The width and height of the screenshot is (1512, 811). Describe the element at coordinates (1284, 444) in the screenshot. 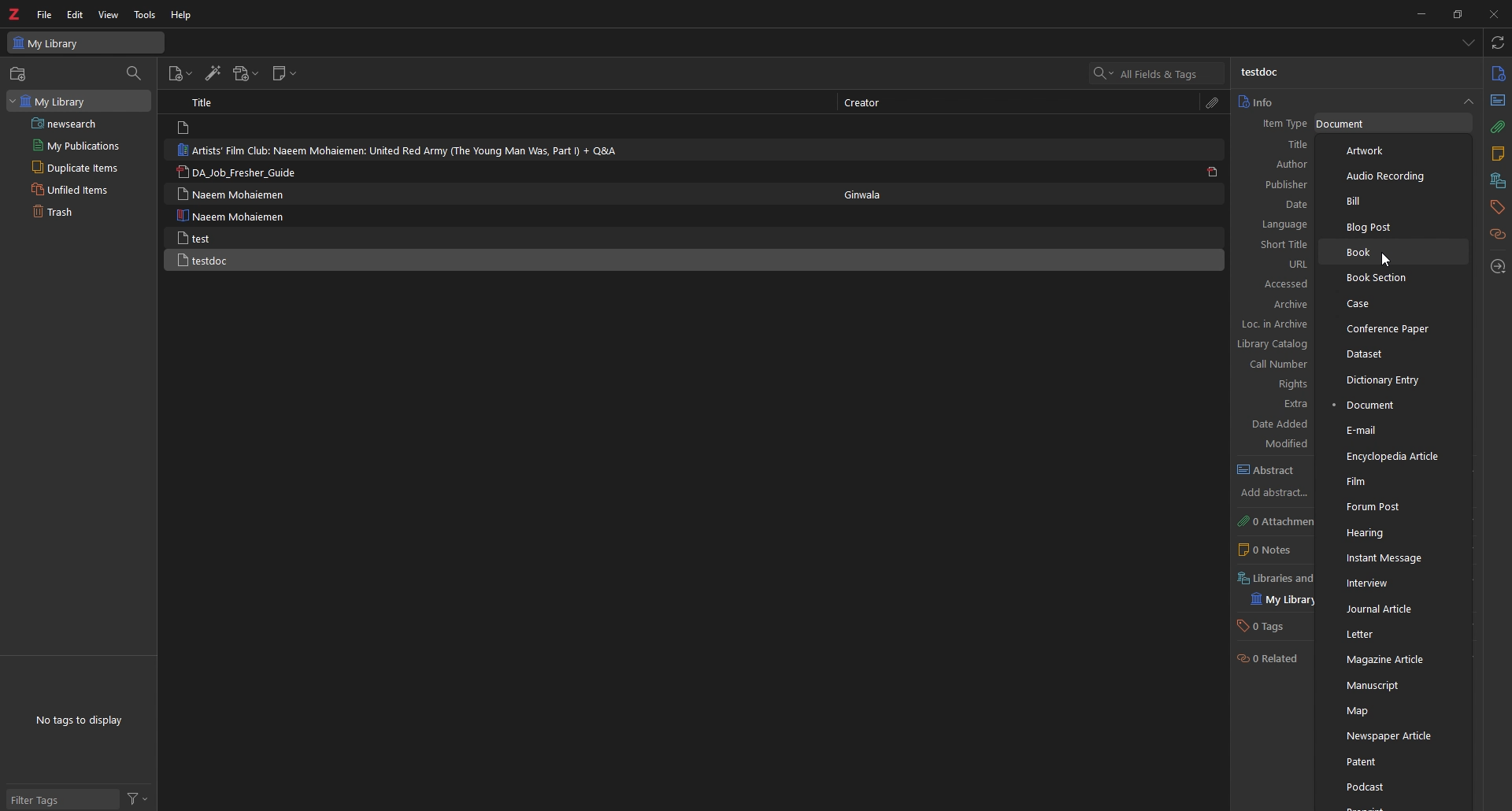

I see `Modified` at that location.